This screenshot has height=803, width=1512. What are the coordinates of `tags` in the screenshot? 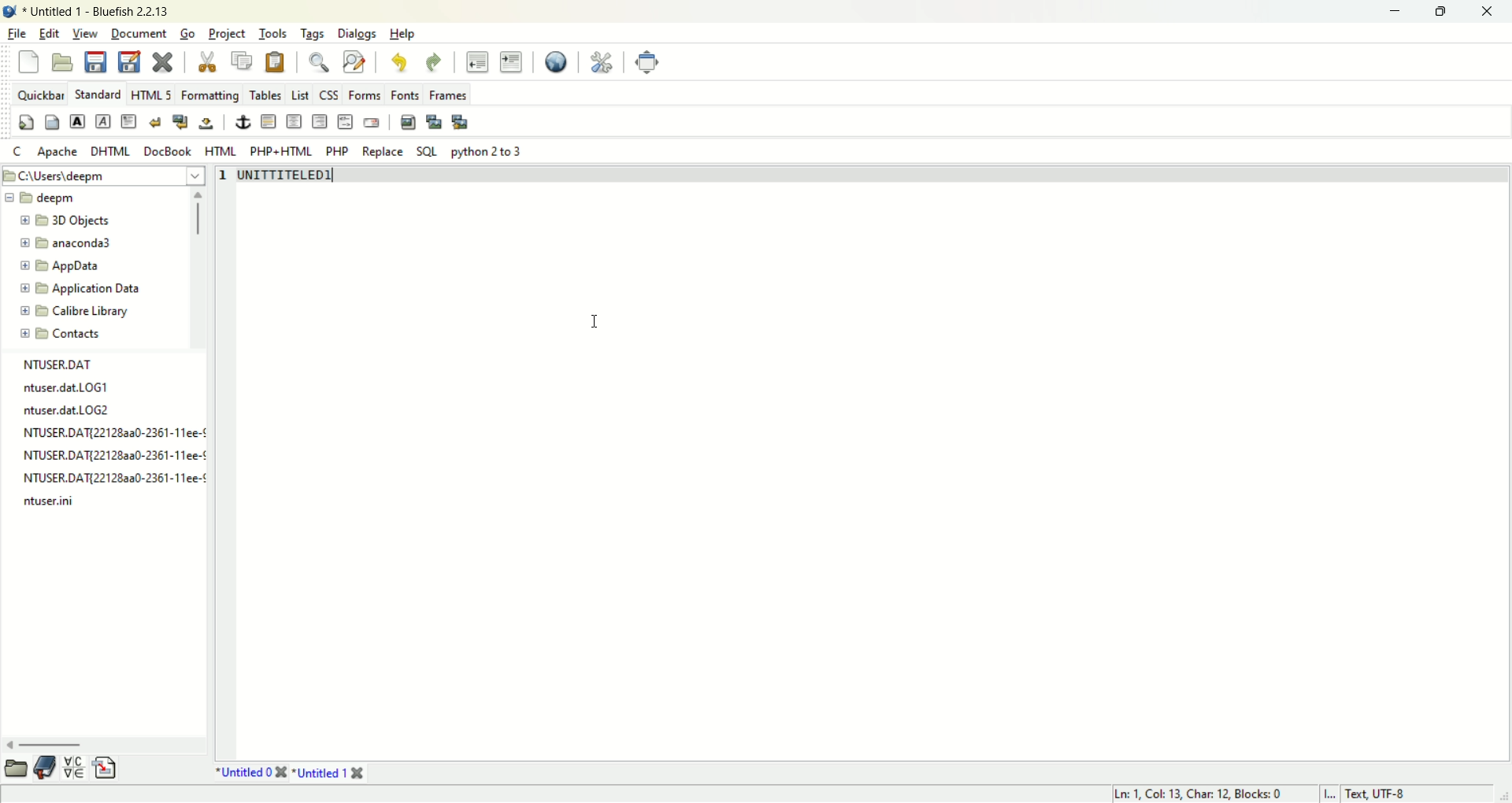 It's located at (313, 35).